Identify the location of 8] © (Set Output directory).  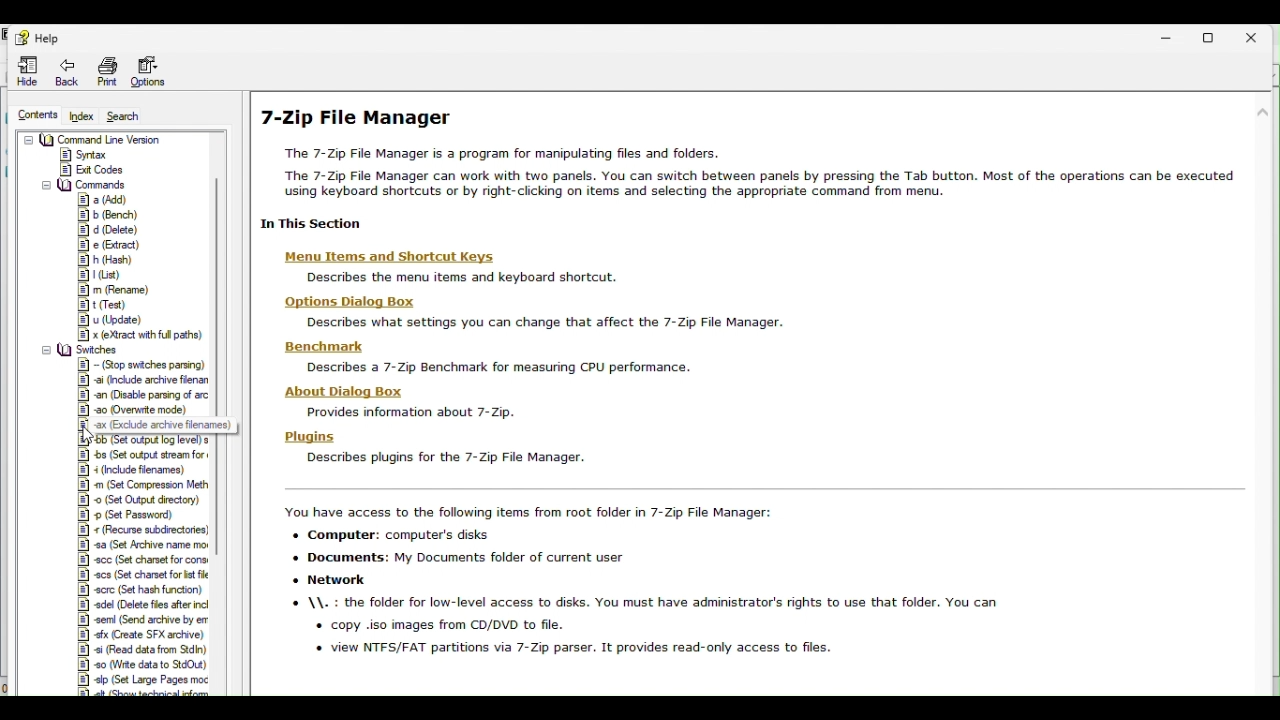
(142, 500).